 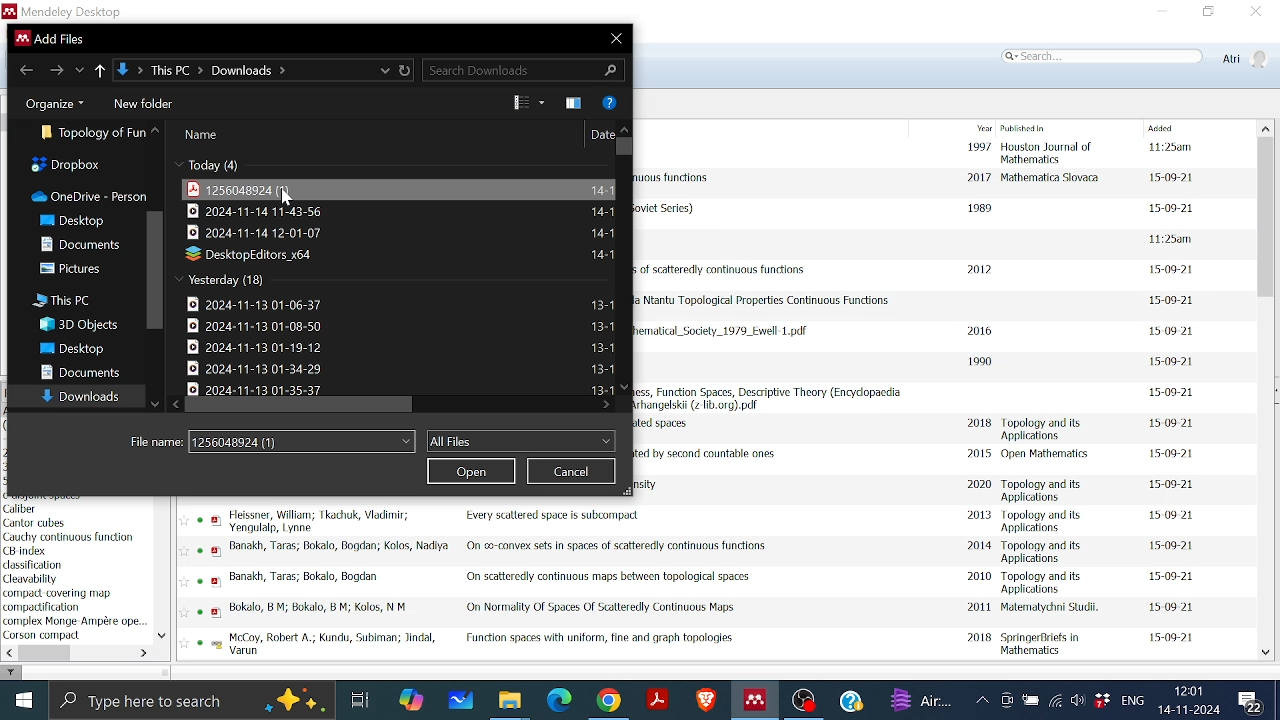 I want to click on keyword, so click(x=69, y=538).